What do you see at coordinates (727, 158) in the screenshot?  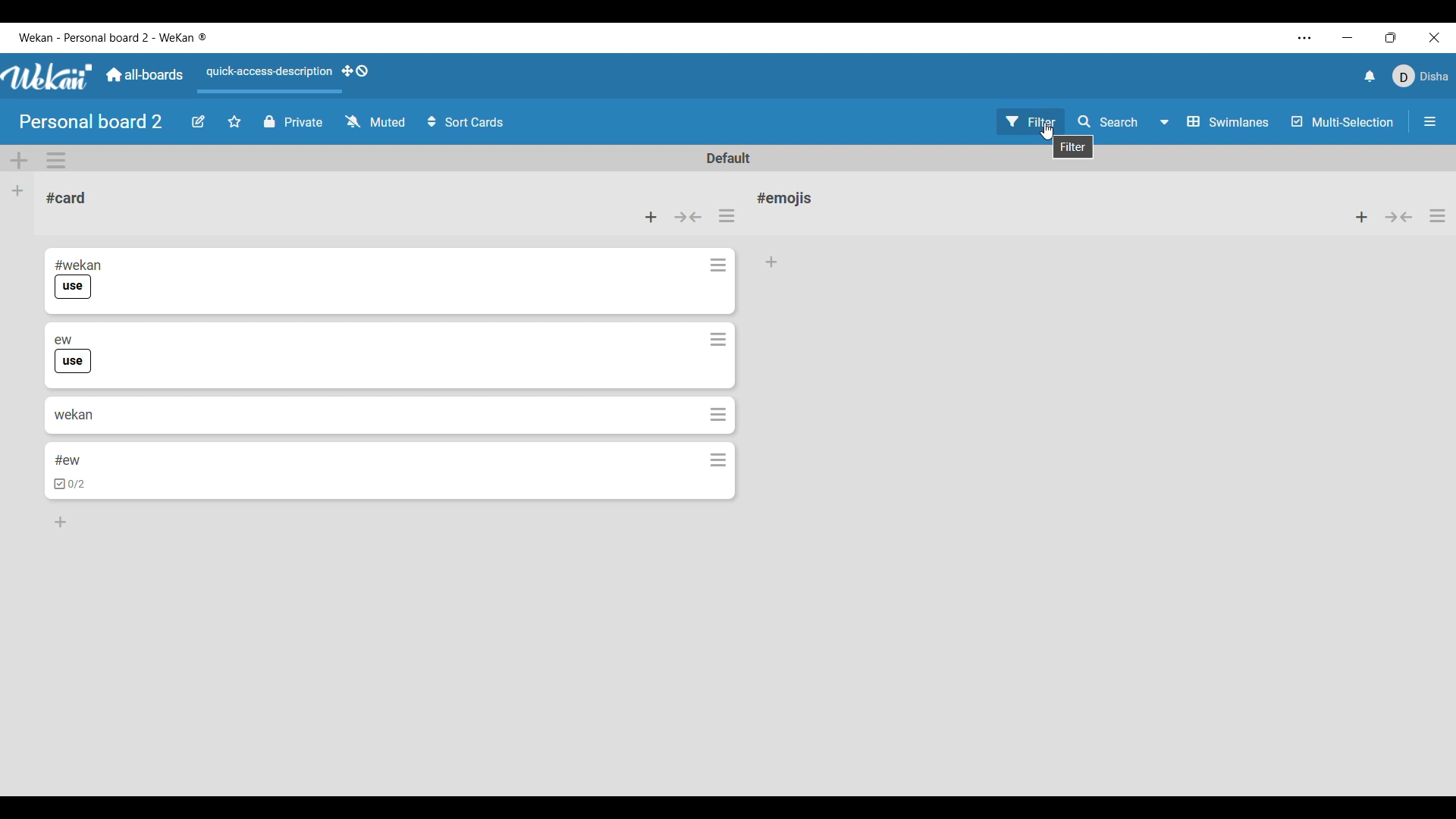 I see `Default` at bounding box center [727, 158].